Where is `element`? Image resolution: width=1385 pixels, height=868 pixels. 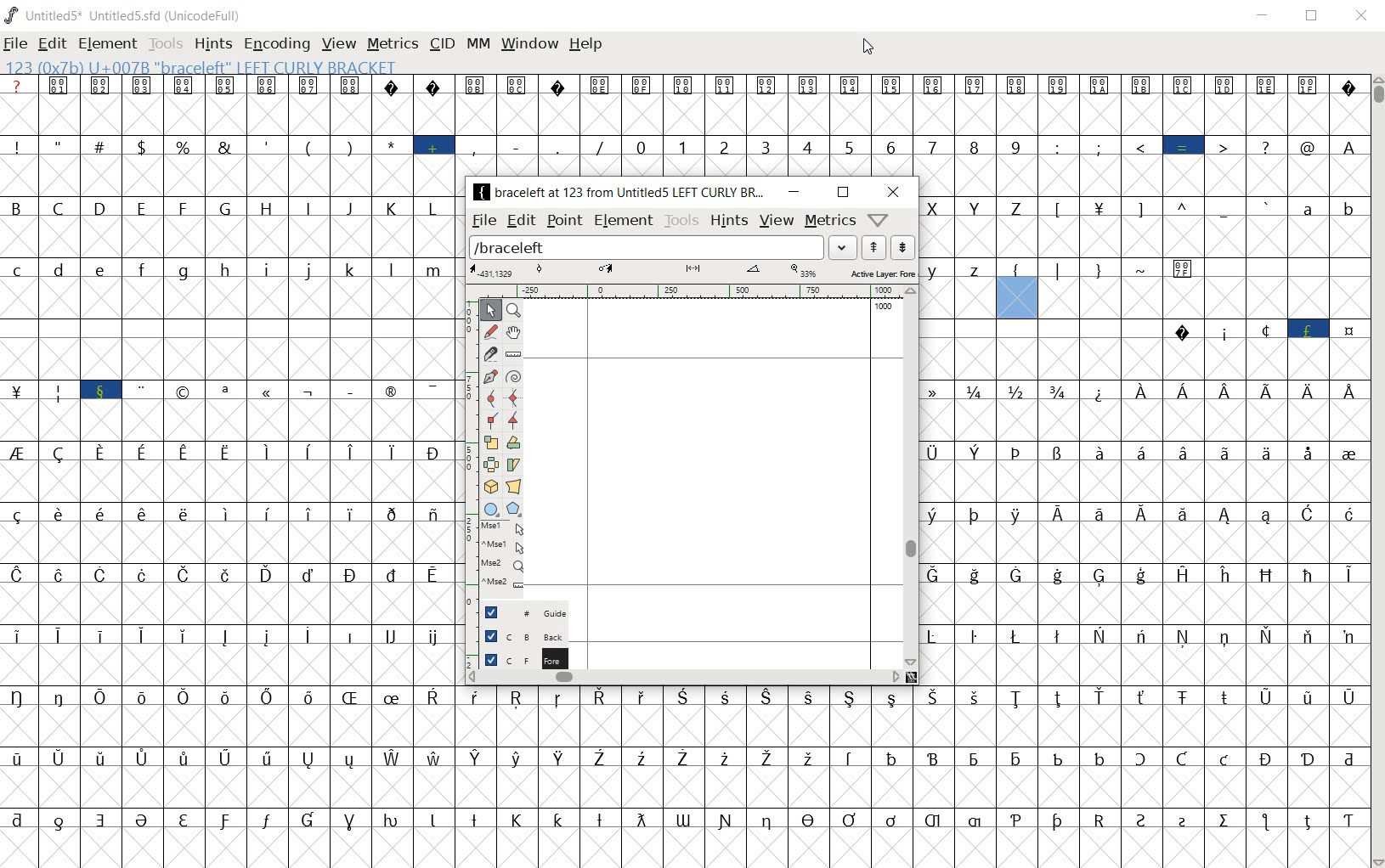 element is located at coordinates (107, 44).